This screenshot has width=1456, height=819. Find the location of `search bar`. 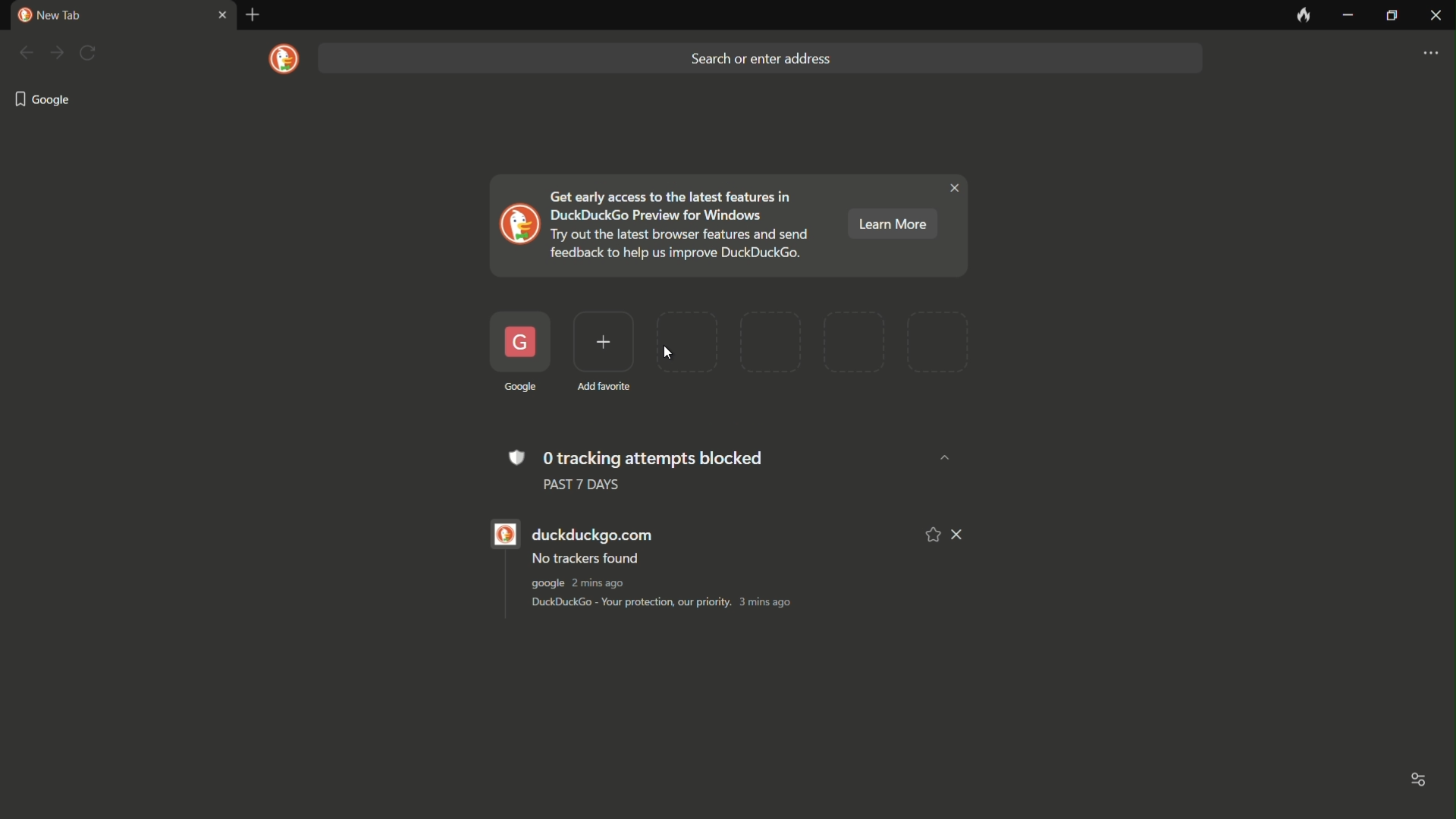

search bar is located at coordinates (758, 58).